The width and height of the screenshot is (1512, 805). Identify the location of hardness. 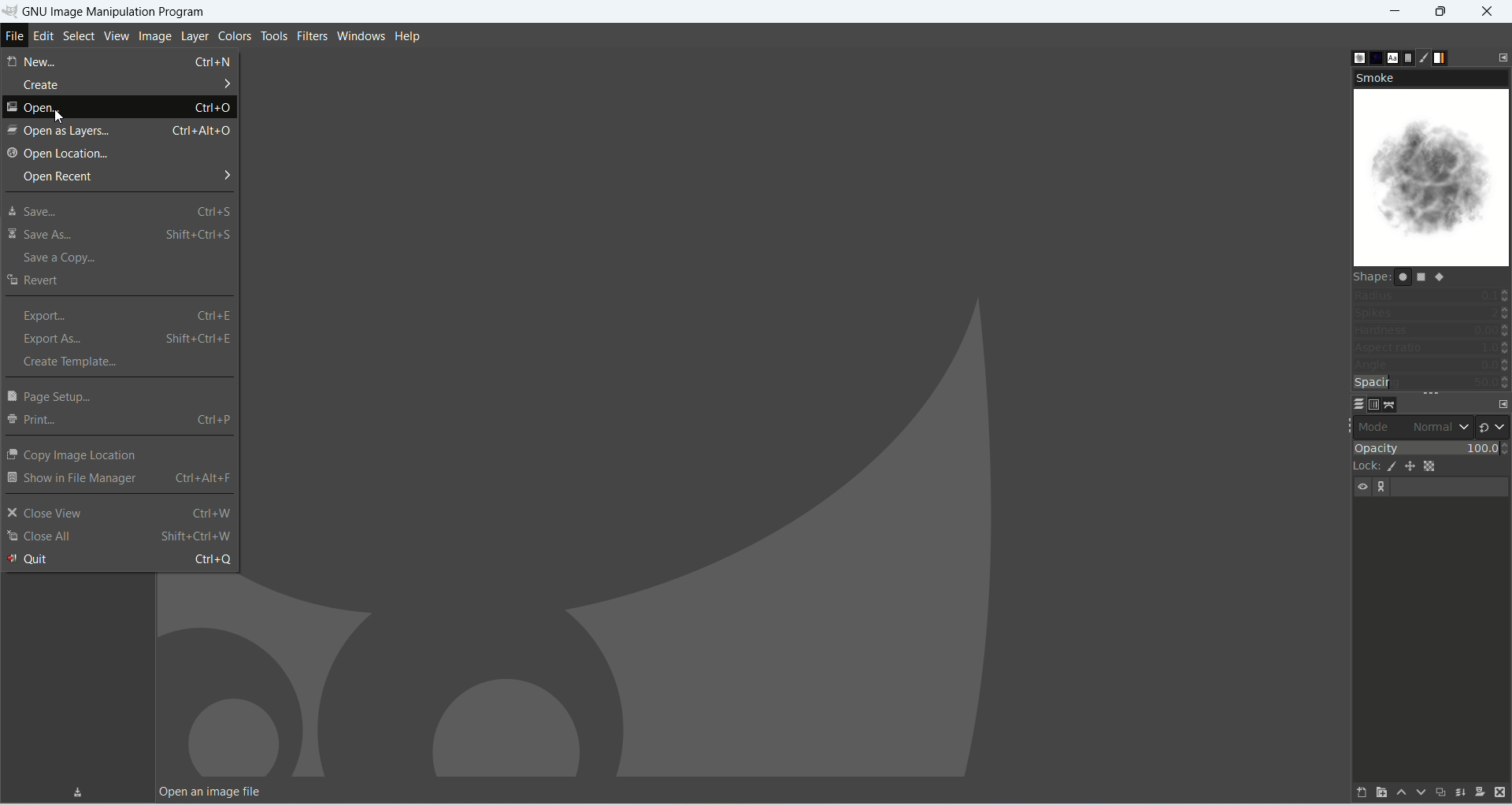
(1431, 330).